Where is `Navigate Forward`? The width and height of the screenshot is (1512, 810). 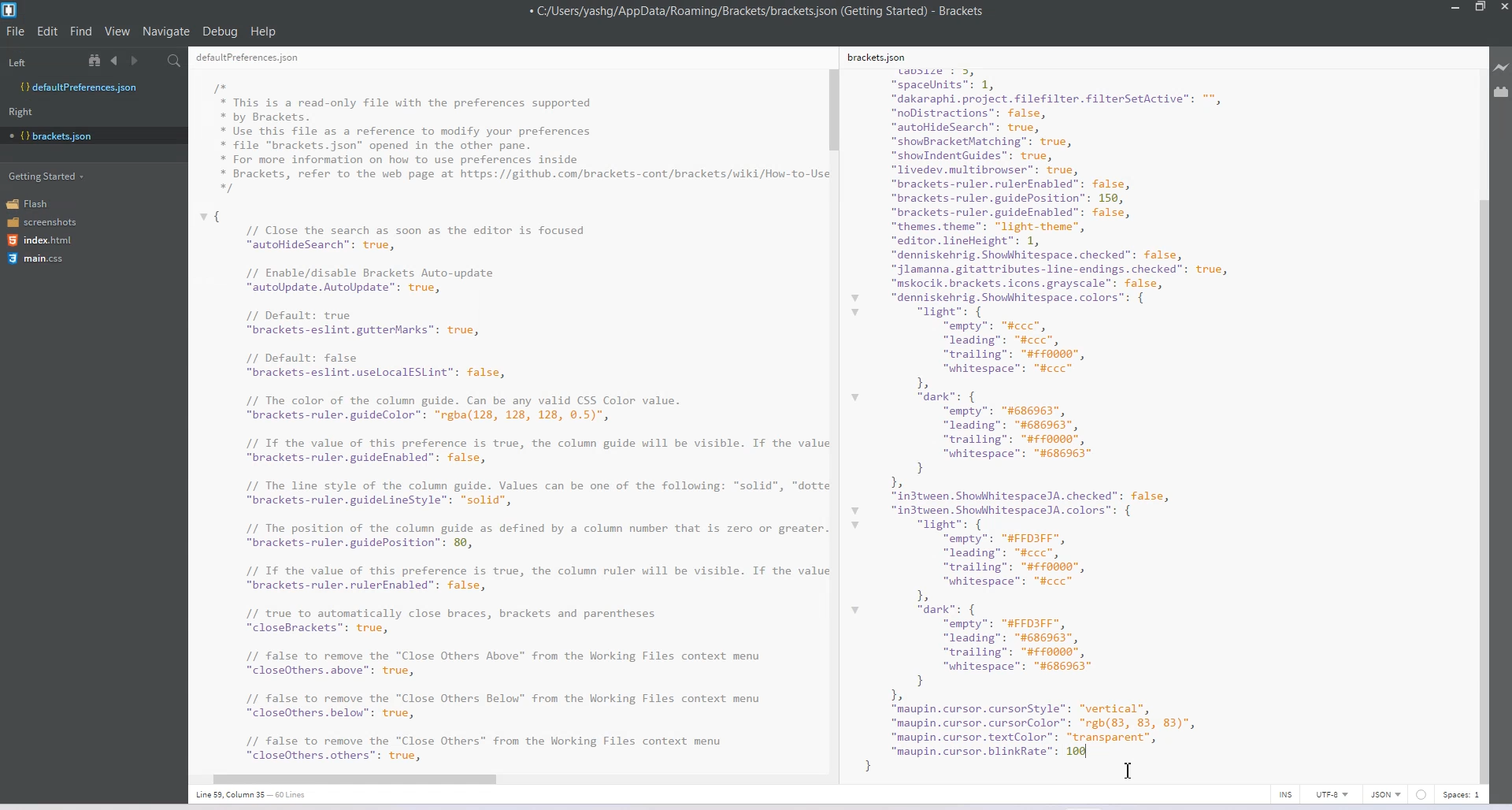
Navigate Forward is located at coordinates (136, 61).